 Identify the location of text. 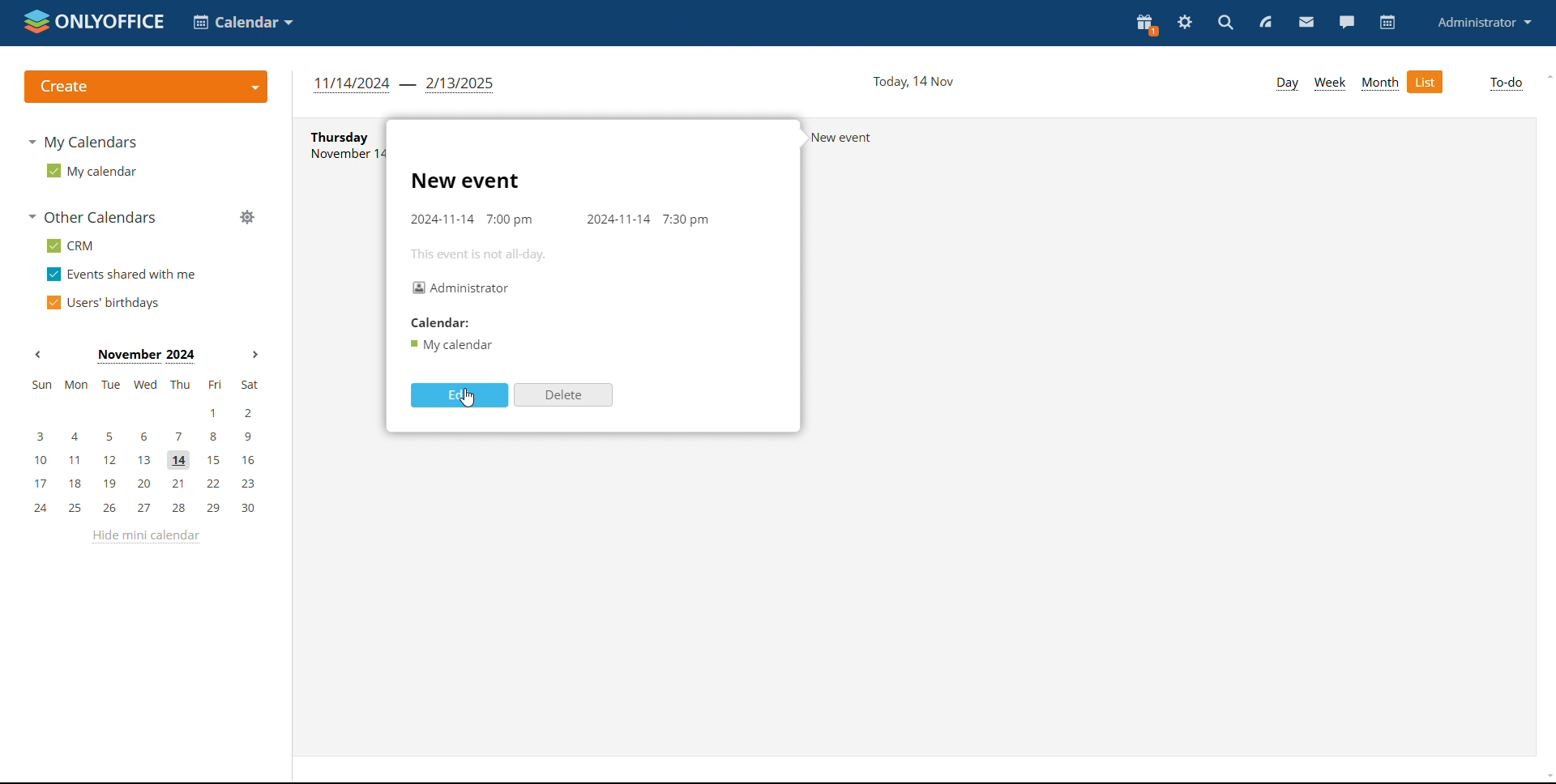
(344, 148).